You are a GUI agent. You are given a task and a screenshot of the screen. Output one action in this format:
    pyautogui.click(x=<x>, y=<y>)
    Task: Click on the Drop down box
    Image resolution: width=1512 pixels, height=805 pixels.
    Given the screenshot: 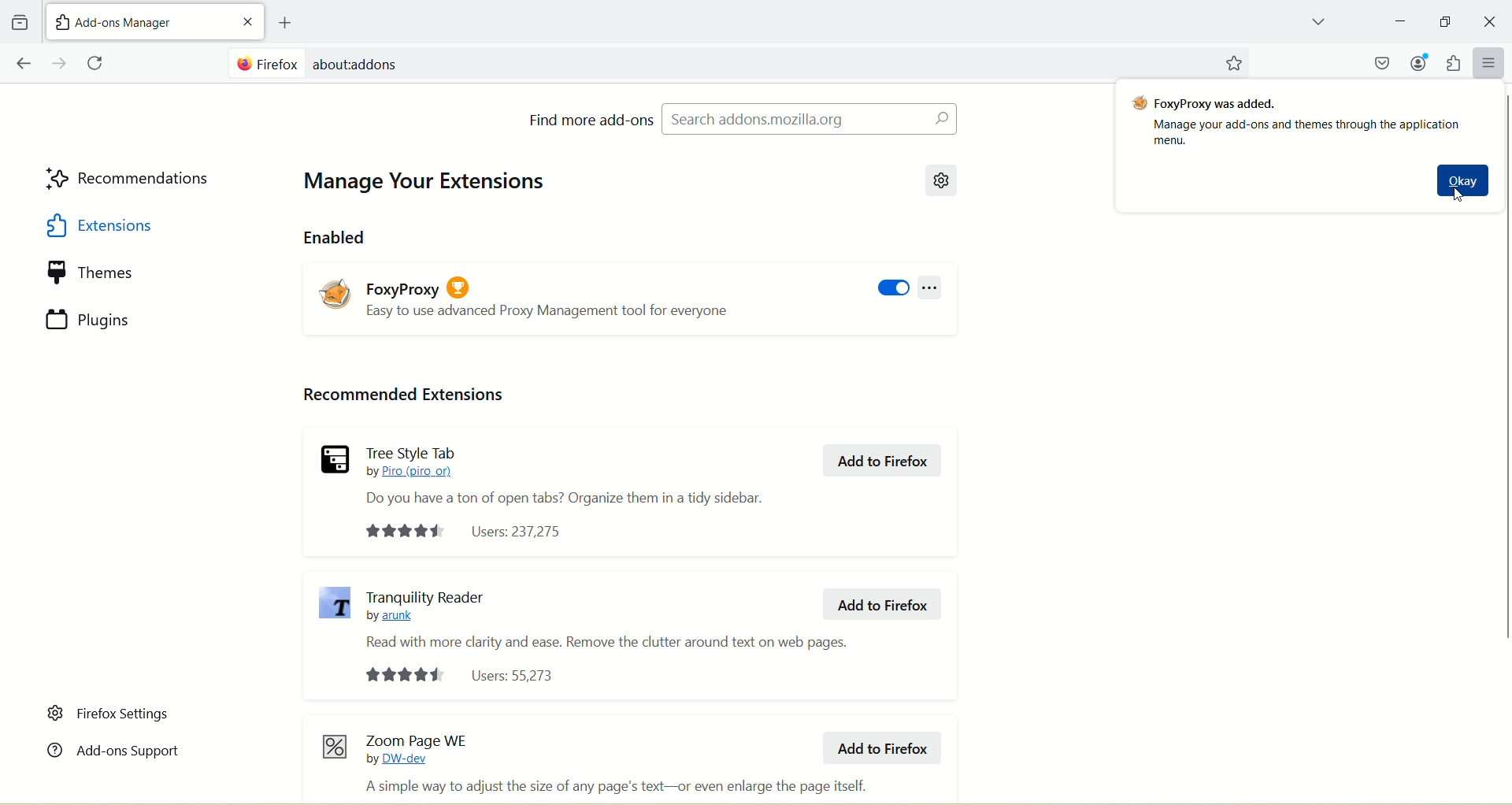 What is the action you would take?
    pyautogui.click(x=1317, y=24)
    